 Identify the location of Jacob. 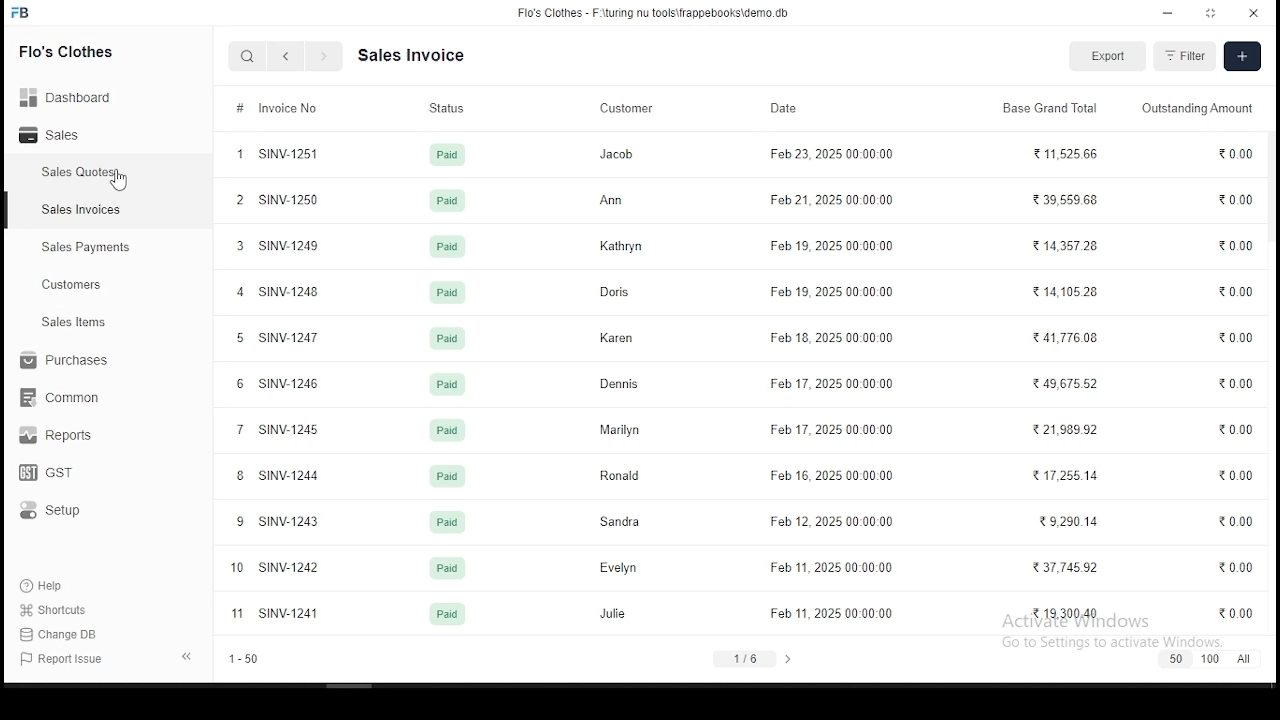
(619, 153).